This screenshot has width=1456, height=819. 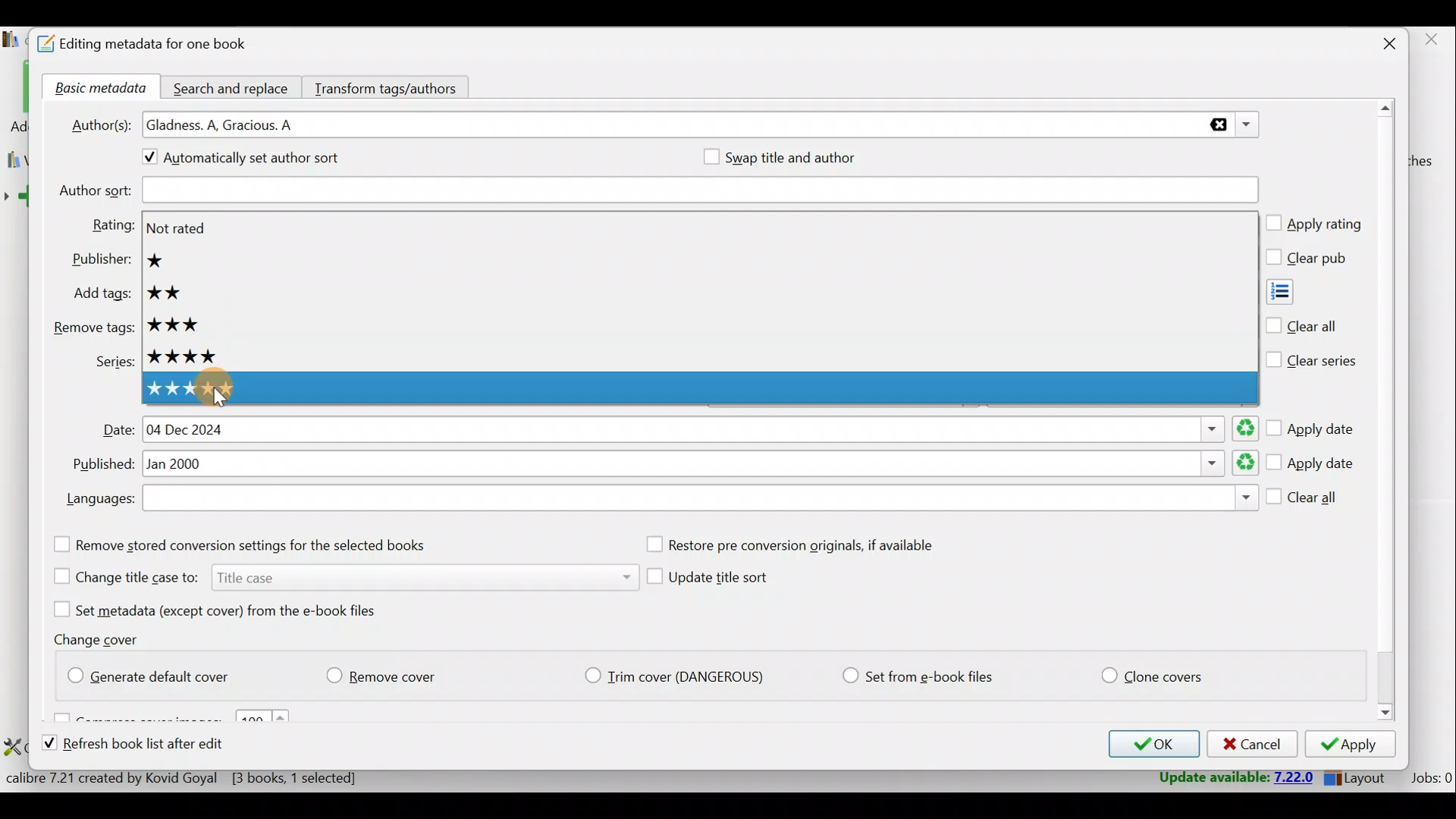 What do you see at coordinates (700, 500) in the screenshot?
I see `Languages` at bounding box center [700, 500].